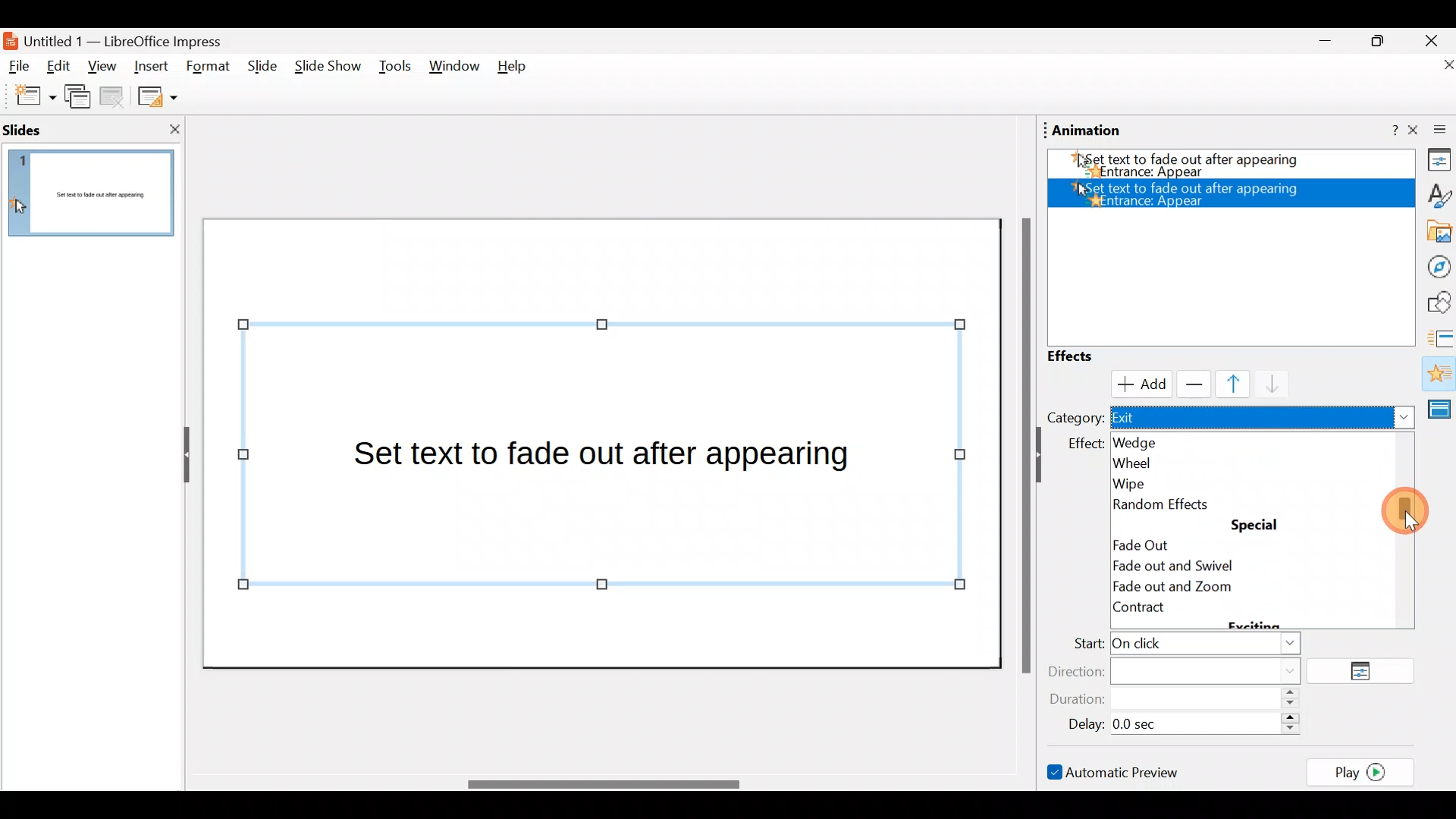 This screenshot has height=819, width=1456. I want to click on Scroll bar, so click(601, 784).